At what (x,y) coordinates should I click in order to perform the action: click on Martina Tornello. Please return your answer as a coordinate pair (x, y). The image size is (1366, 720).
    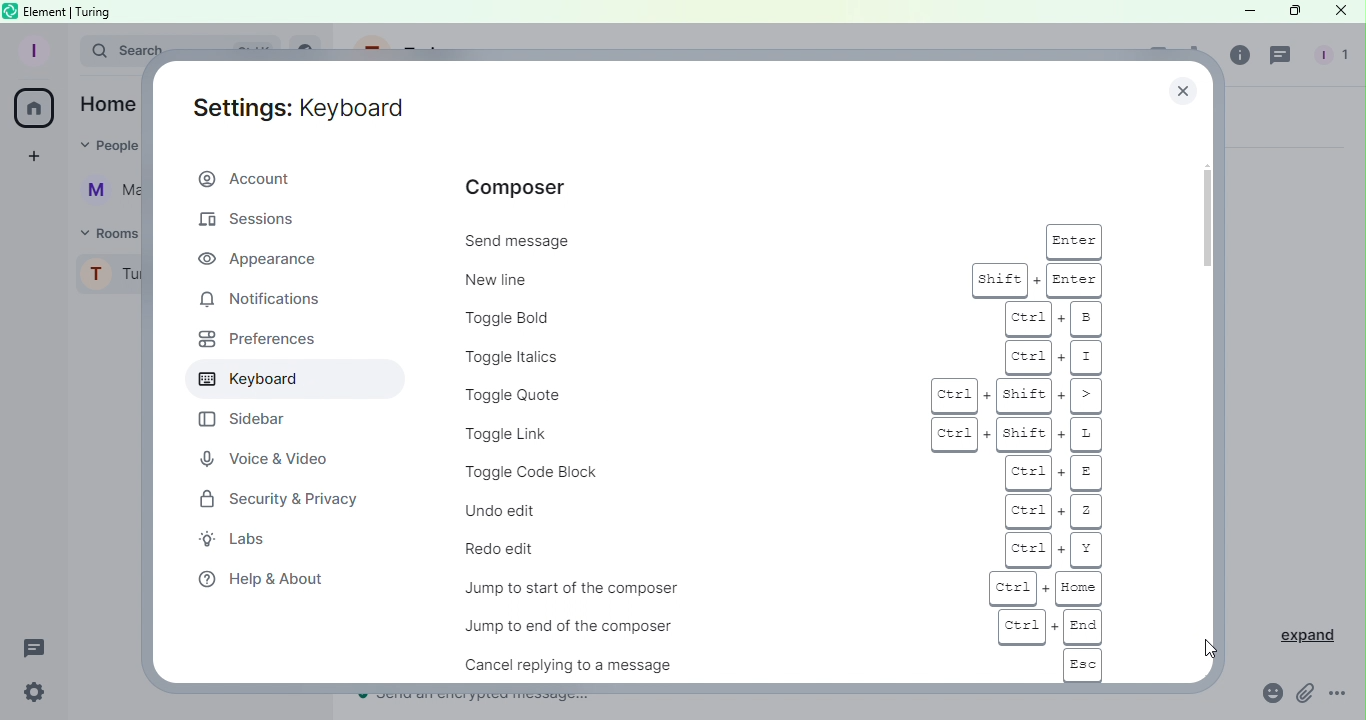
    Looking at the image, I should click on (103, 192).